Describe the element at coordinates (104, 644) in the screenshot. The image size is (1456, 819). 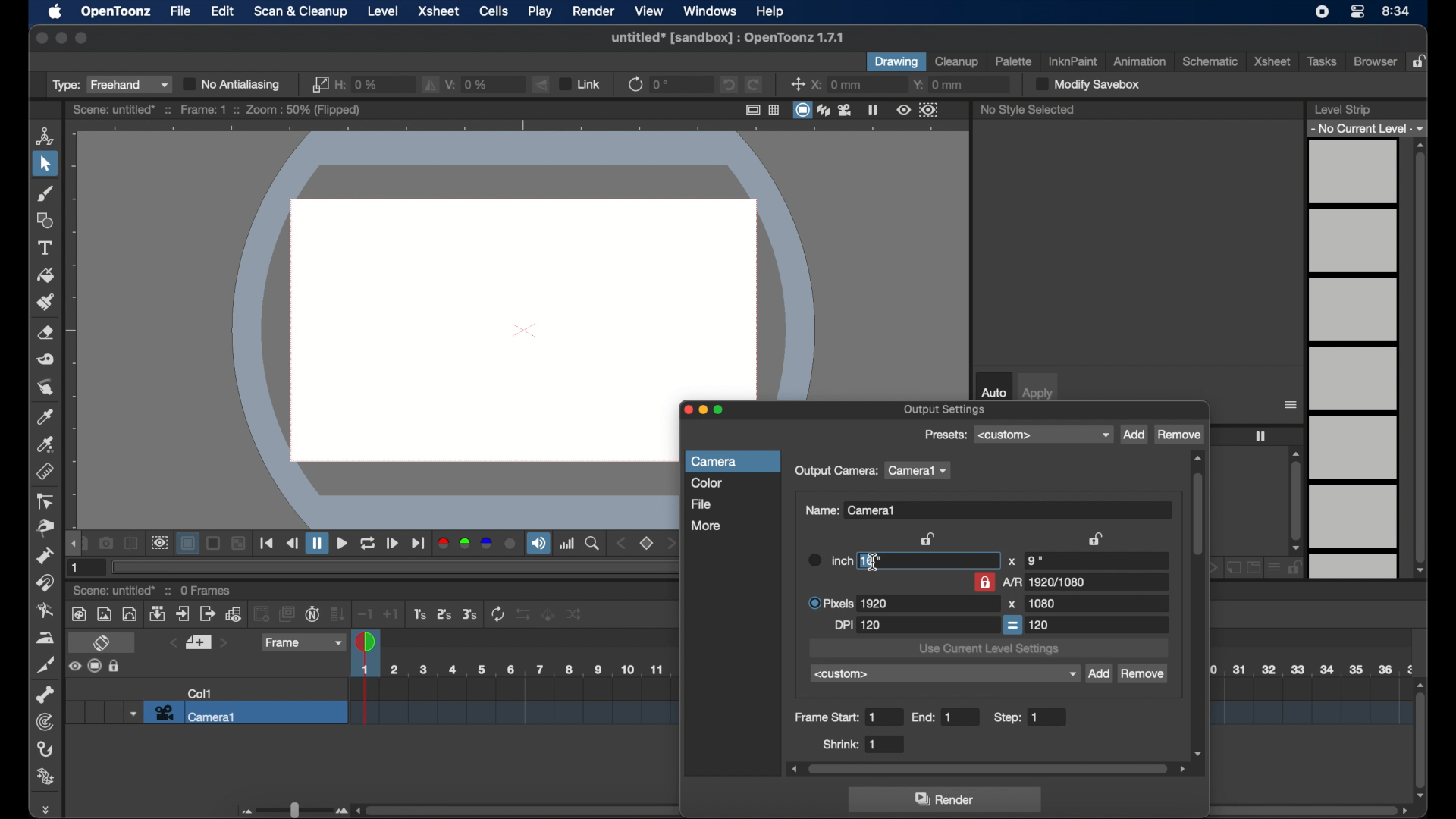
I see `toggle xsheet` at that location.